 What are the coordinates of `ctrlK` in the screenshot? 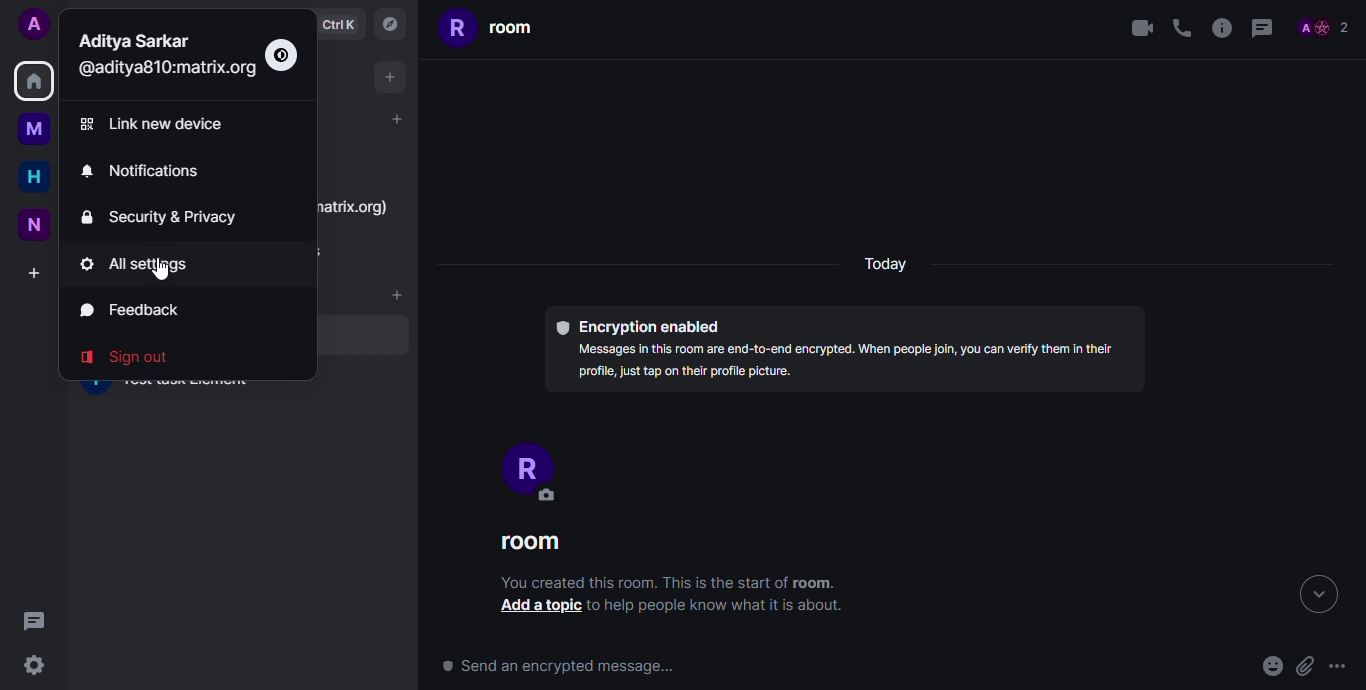 It's located at (337, 24).